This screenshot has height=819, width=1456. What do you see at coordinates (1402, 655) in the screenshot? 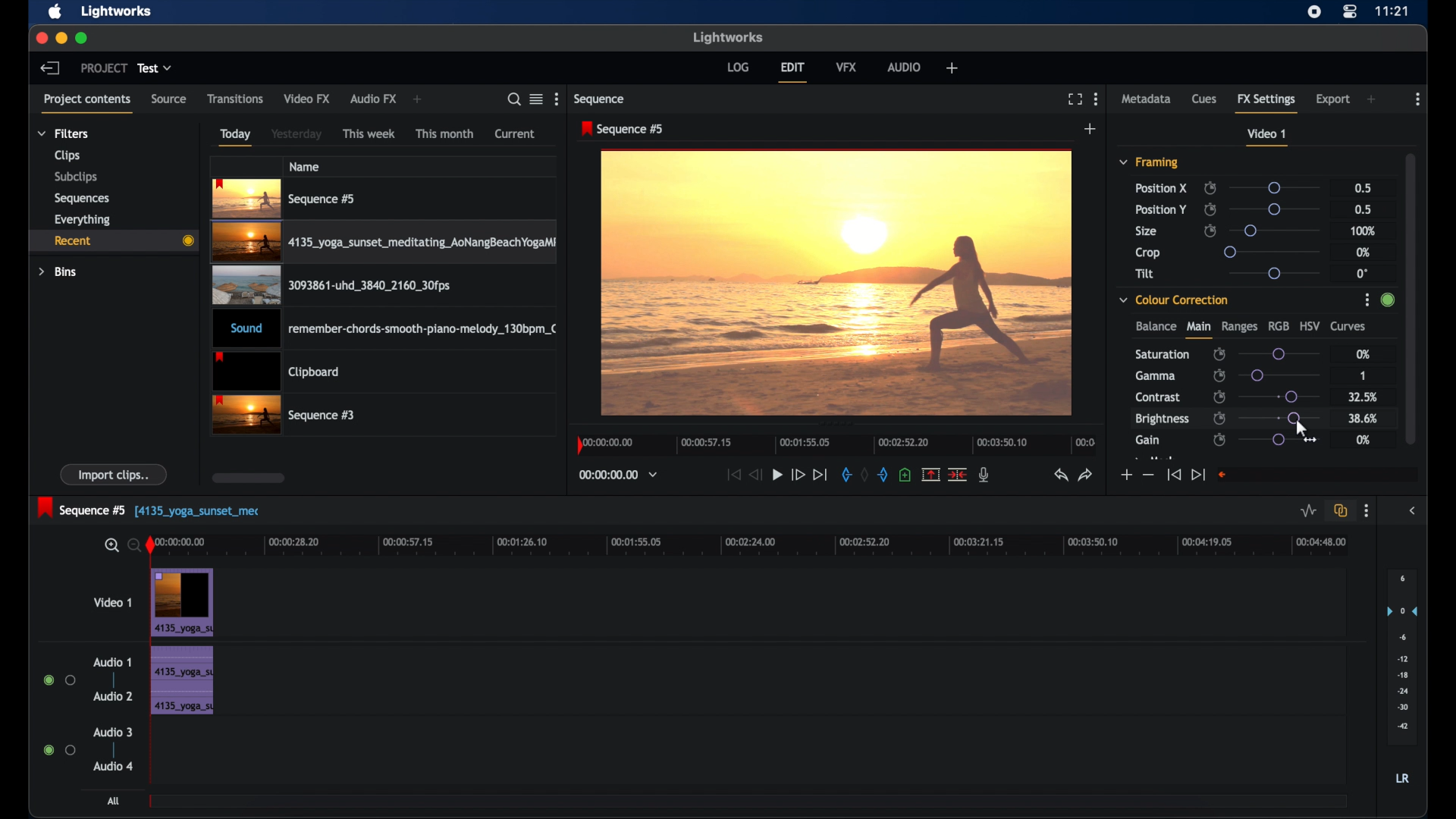
I see `set audio output levels` at bounding box center [1402, 655].